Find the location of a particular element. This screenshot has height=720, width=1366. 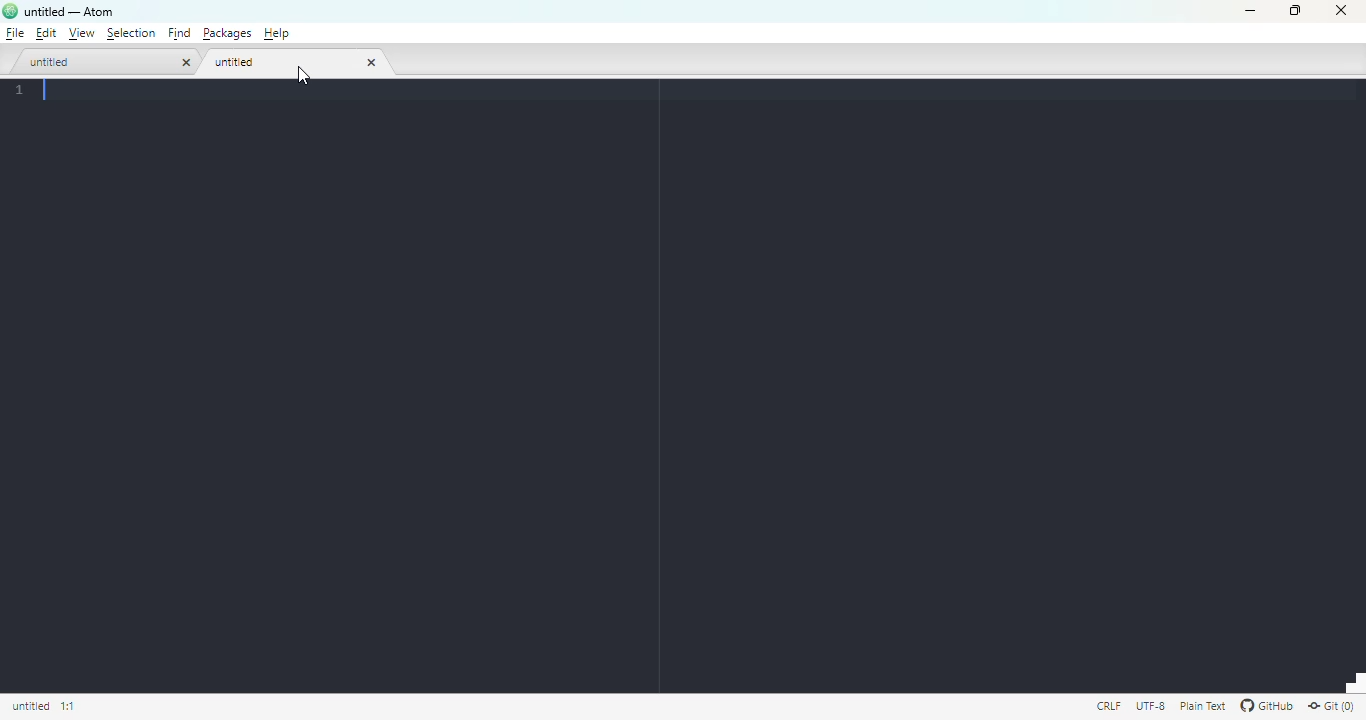

view is located at coordinates (81, 33).